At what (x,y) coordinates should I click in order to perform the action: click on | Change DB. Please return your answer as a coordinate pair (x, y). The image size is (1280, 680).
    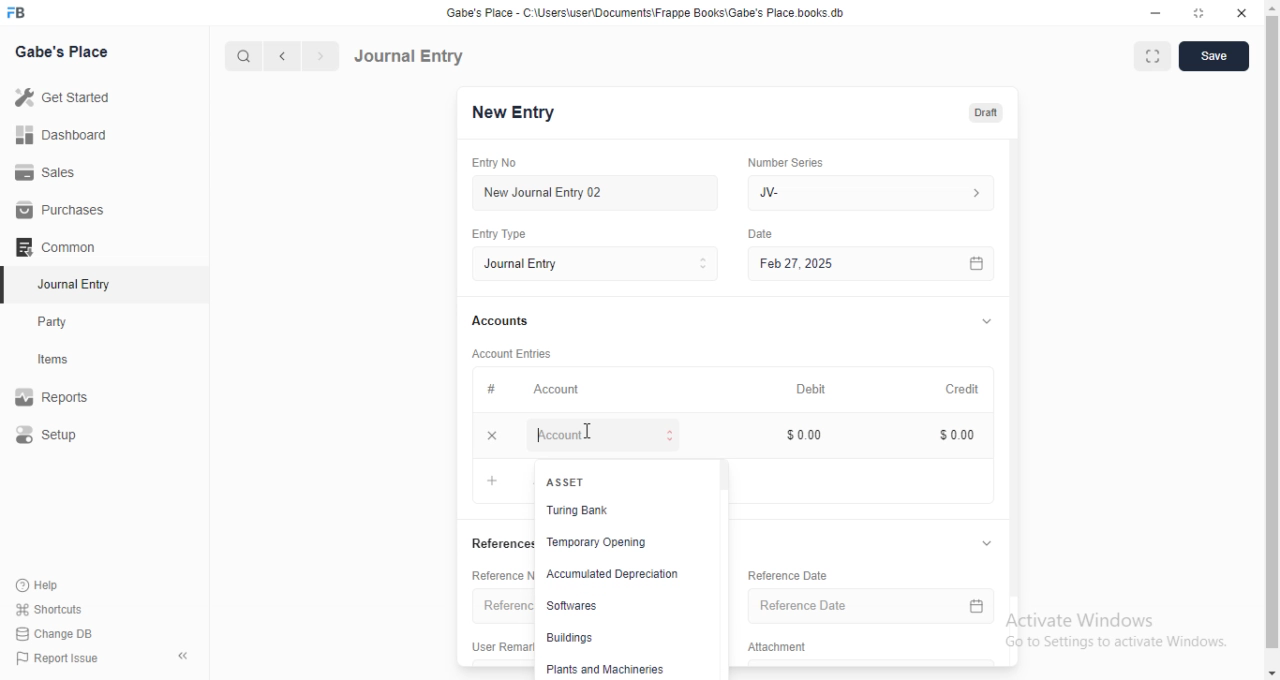
    Looking at the image, I should click on (55, 632).